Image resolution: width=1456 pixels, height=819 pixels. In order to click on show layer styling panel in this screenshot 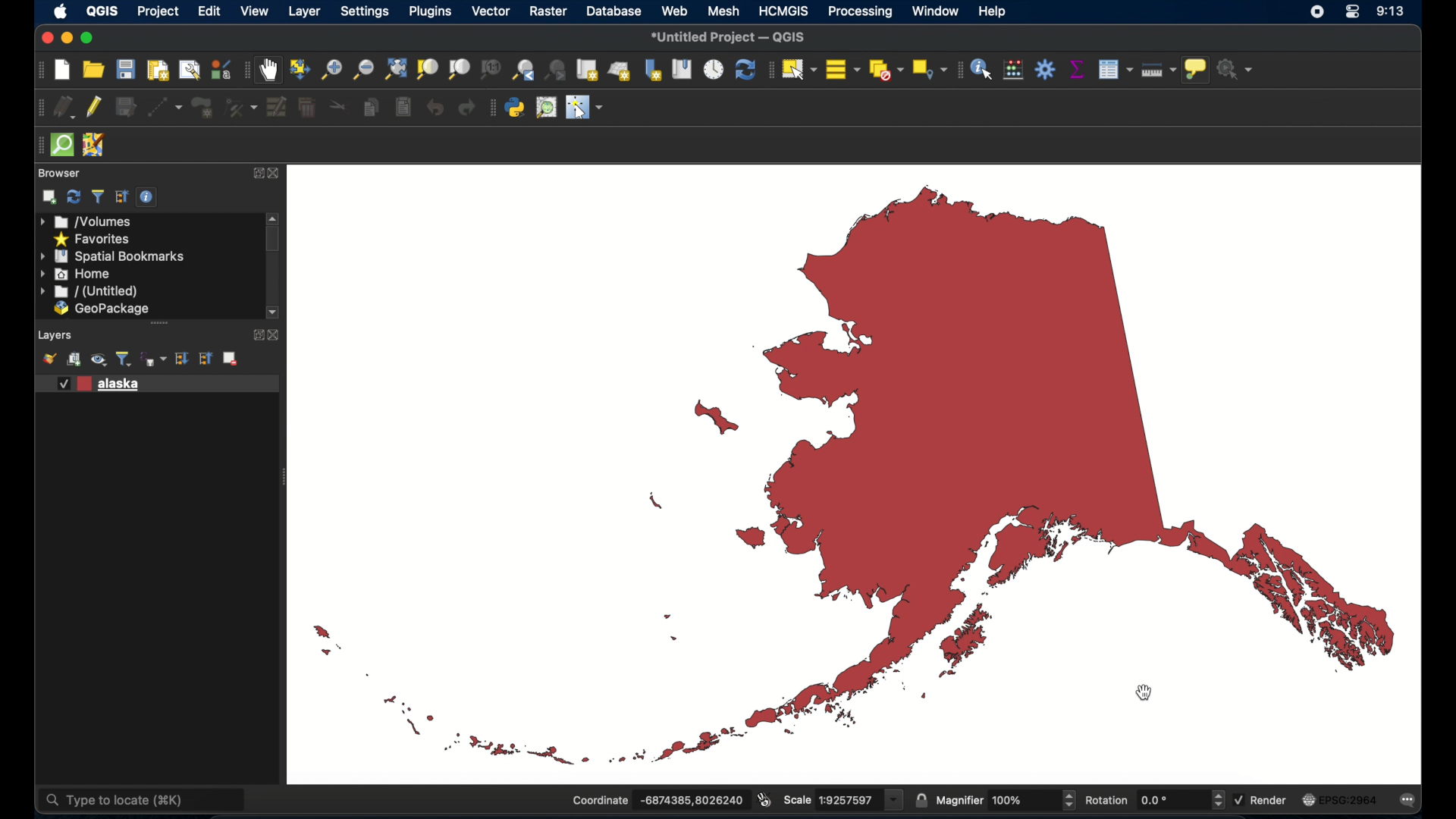, I will do `click(49, 359)`.